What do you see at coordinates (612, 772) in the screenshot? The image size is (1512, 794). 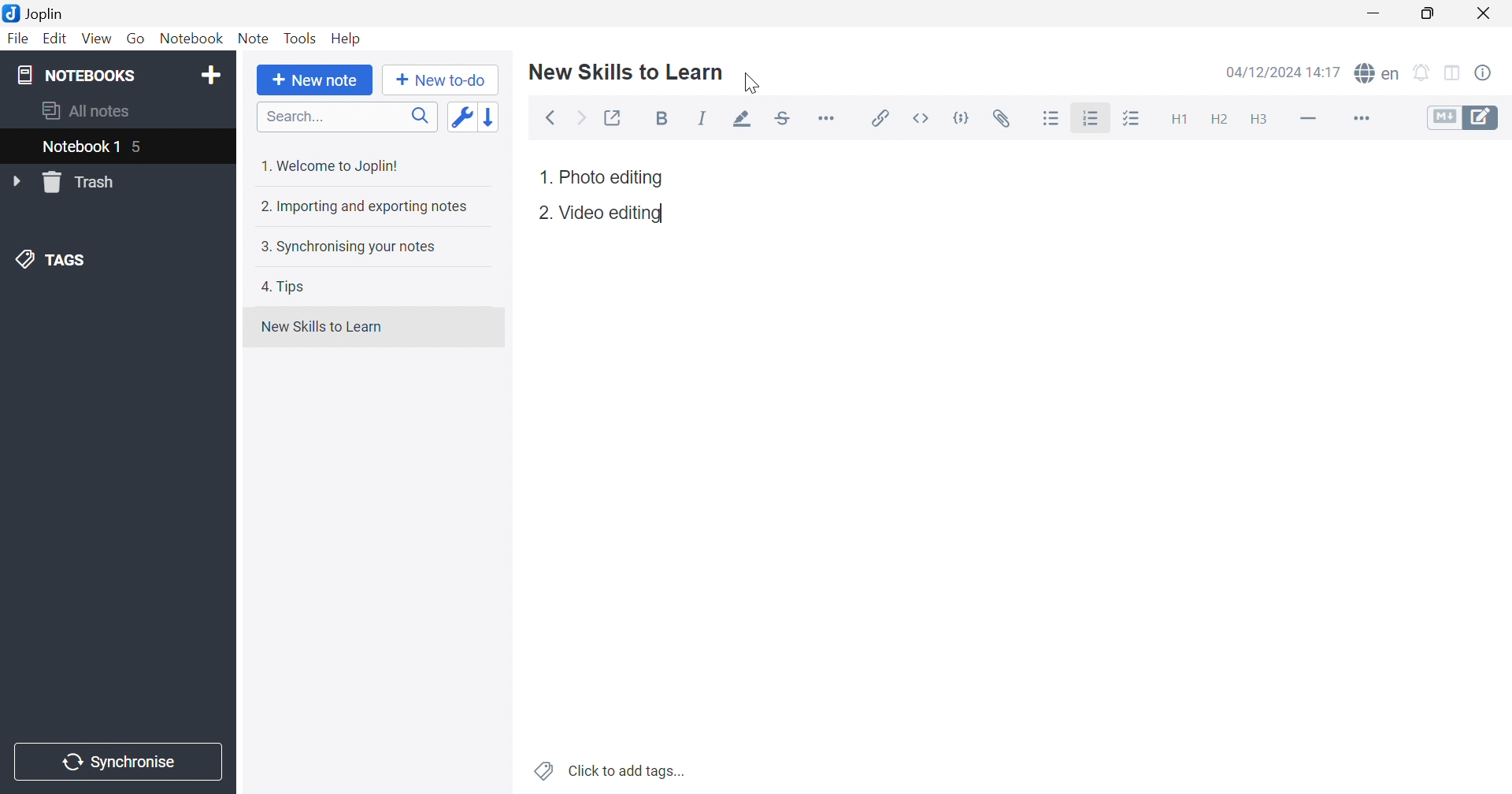 I see `Click to add tags...` at bounding box center [612, 772].